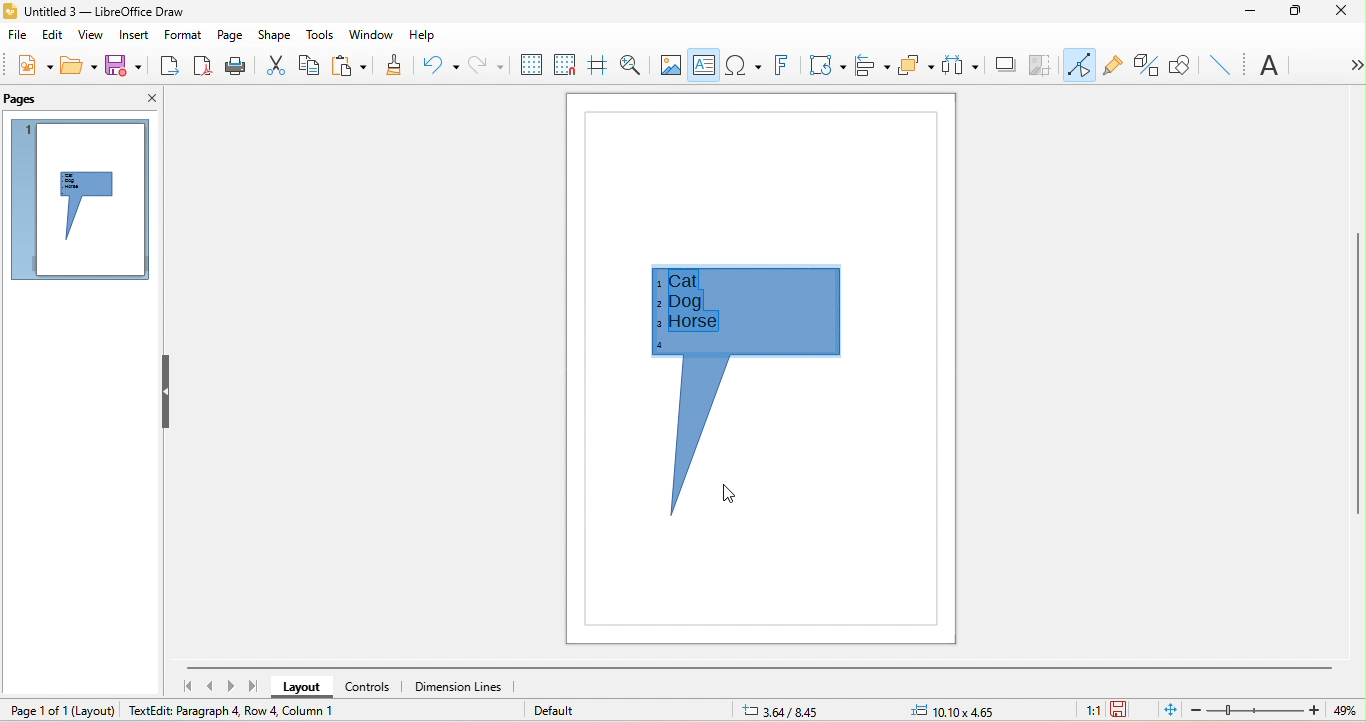  Describe the element at coordinates (270, 712) in the screenshot. I see `textedit paragraph 2, row 2, column 4` at that location.